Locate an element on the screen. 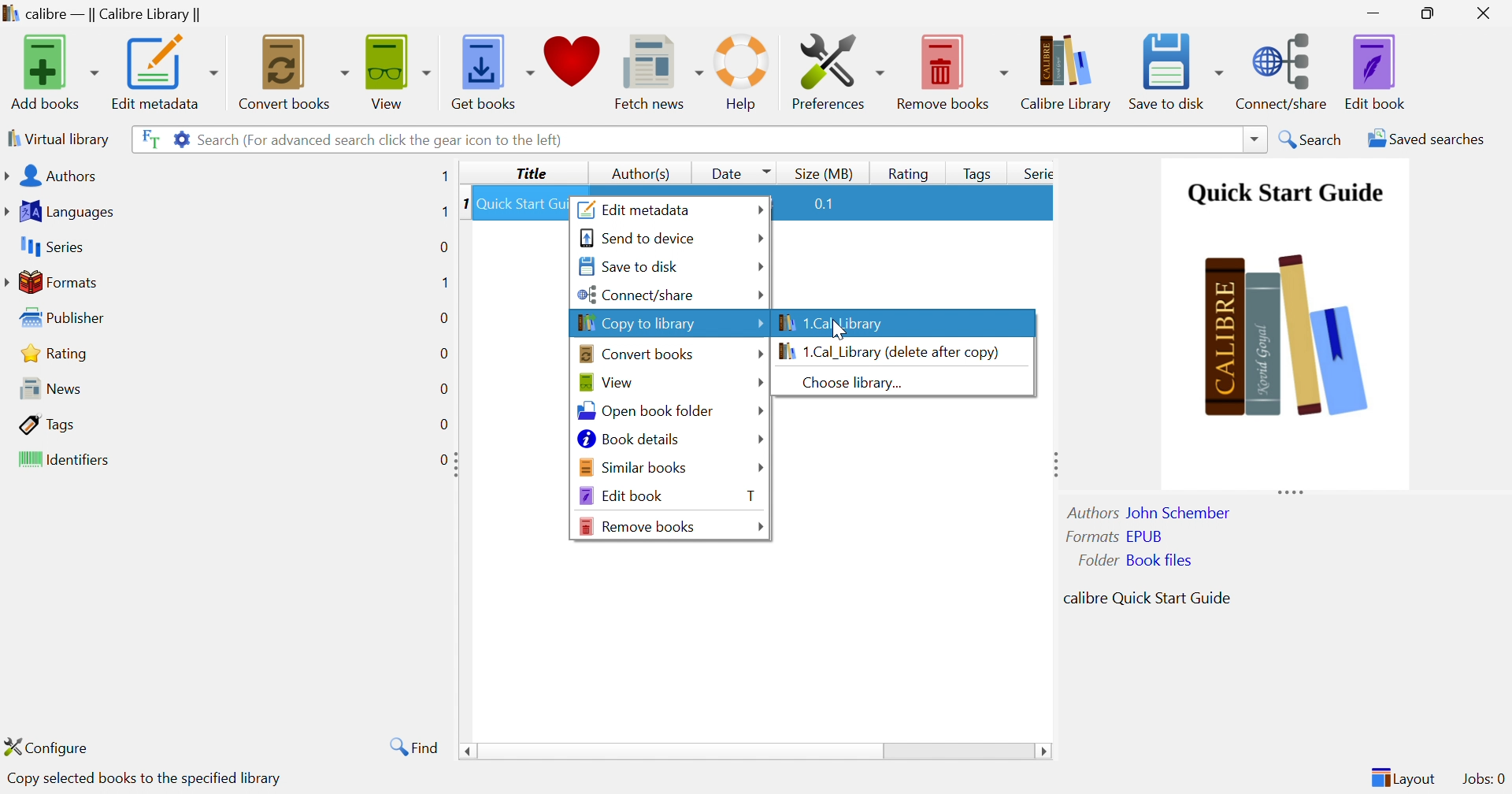  Author(s) is located at coordinates (637, 173).